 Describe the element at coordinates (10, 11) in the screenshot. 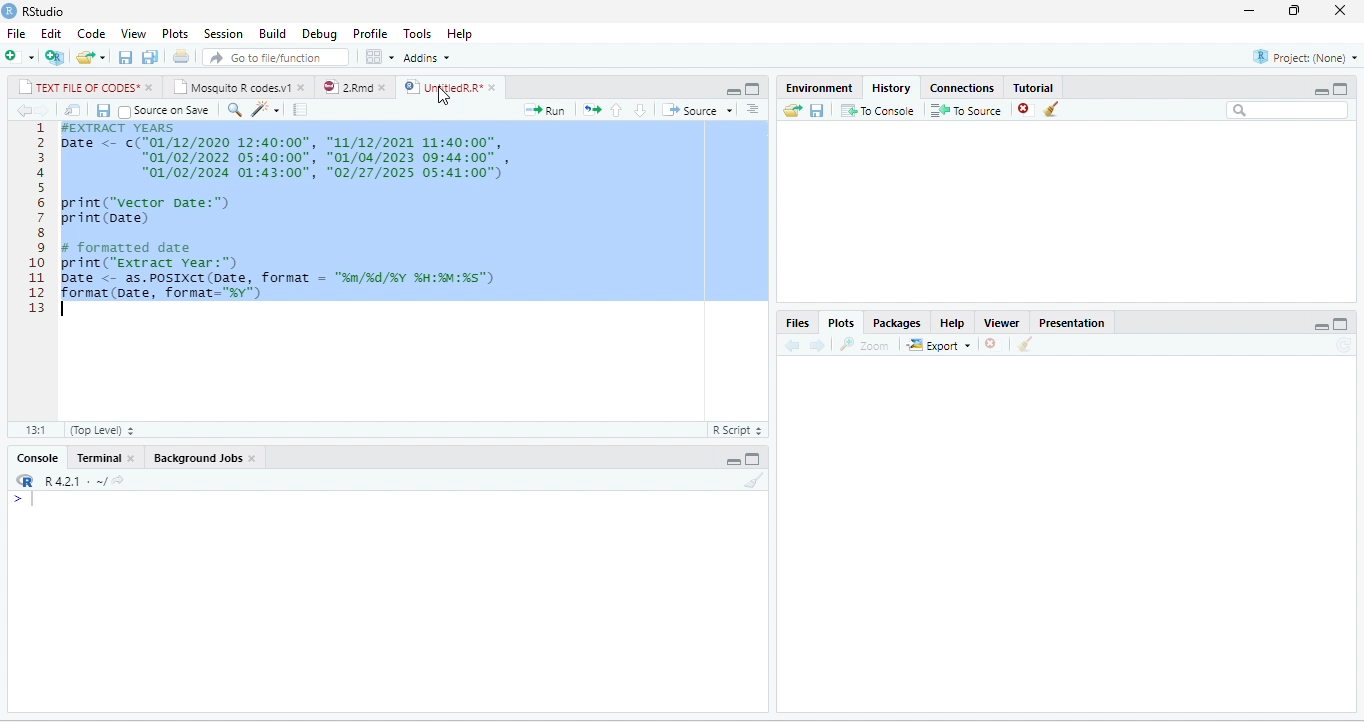

I see `logo` at that location.